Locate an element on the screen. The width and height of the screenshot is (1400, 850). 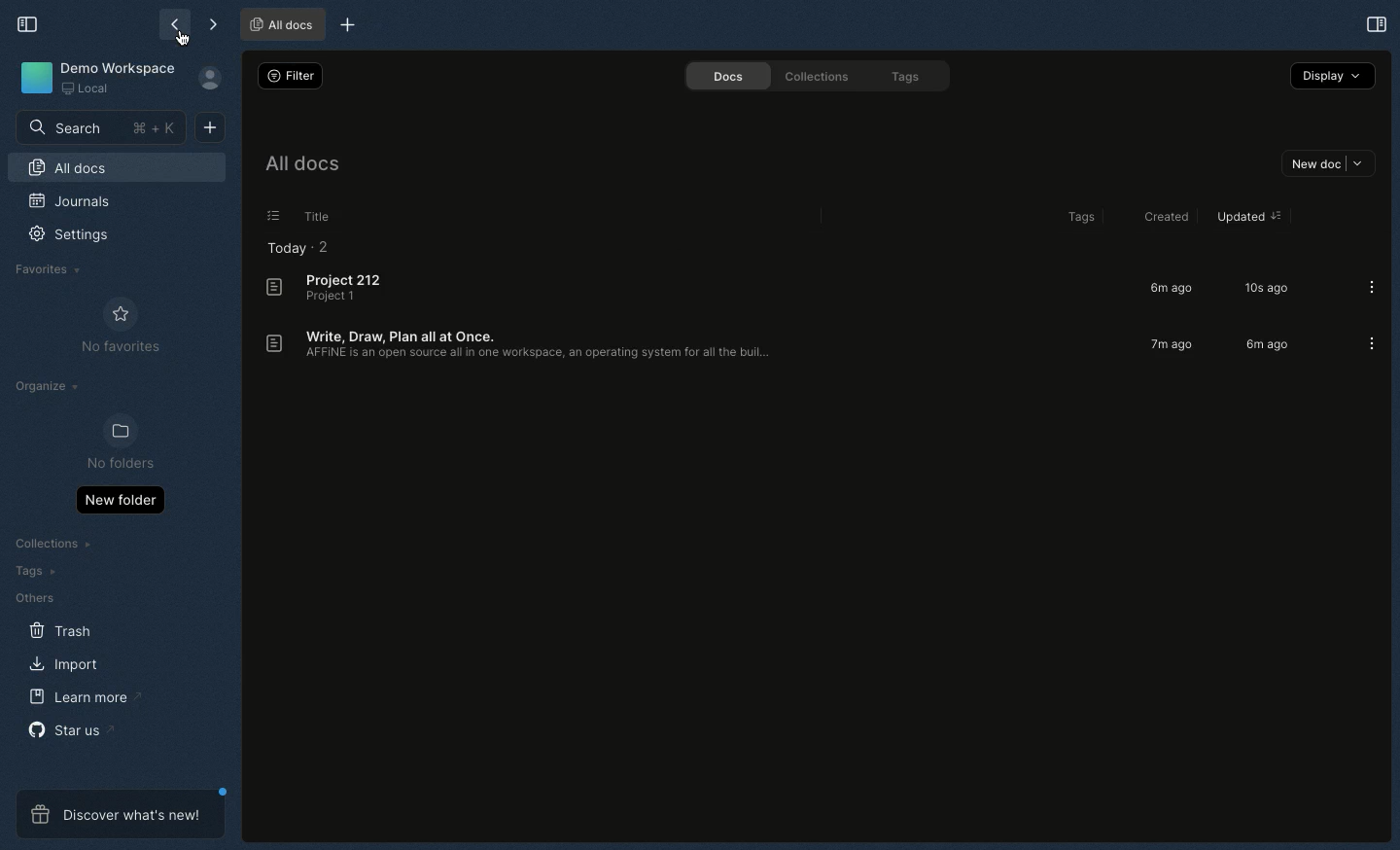
Organize is located at coordinates (51, 385).